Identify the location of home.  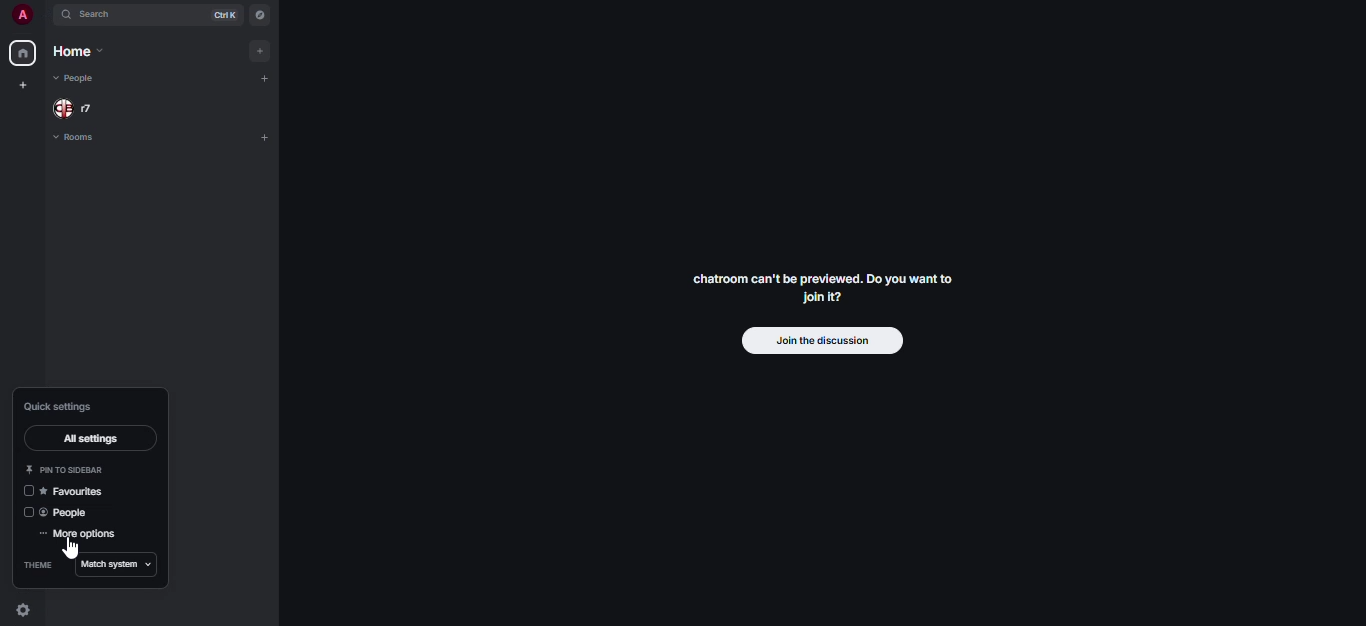
(23, 51).